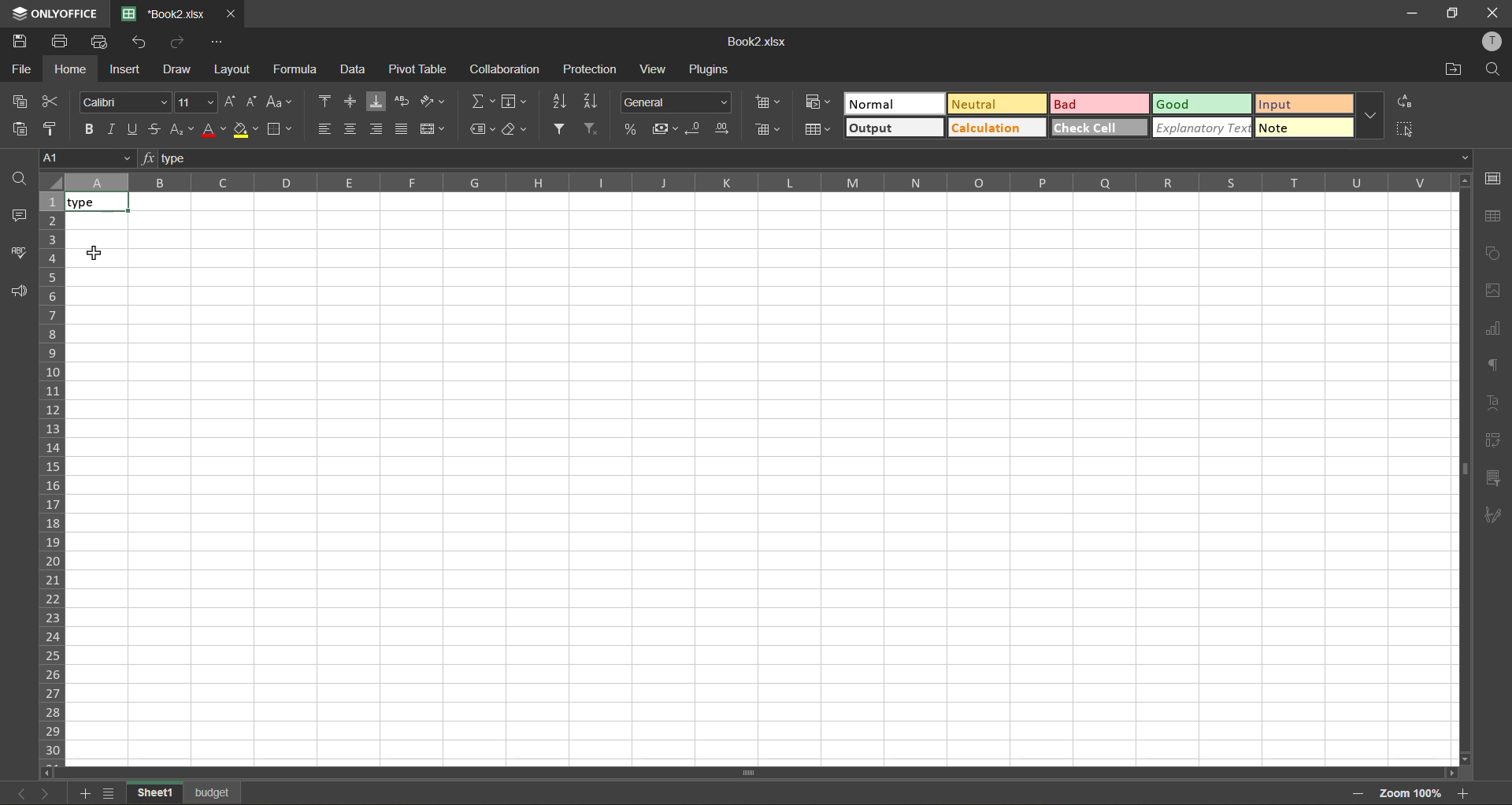  I want to click on align bottom, so click(380, 101).